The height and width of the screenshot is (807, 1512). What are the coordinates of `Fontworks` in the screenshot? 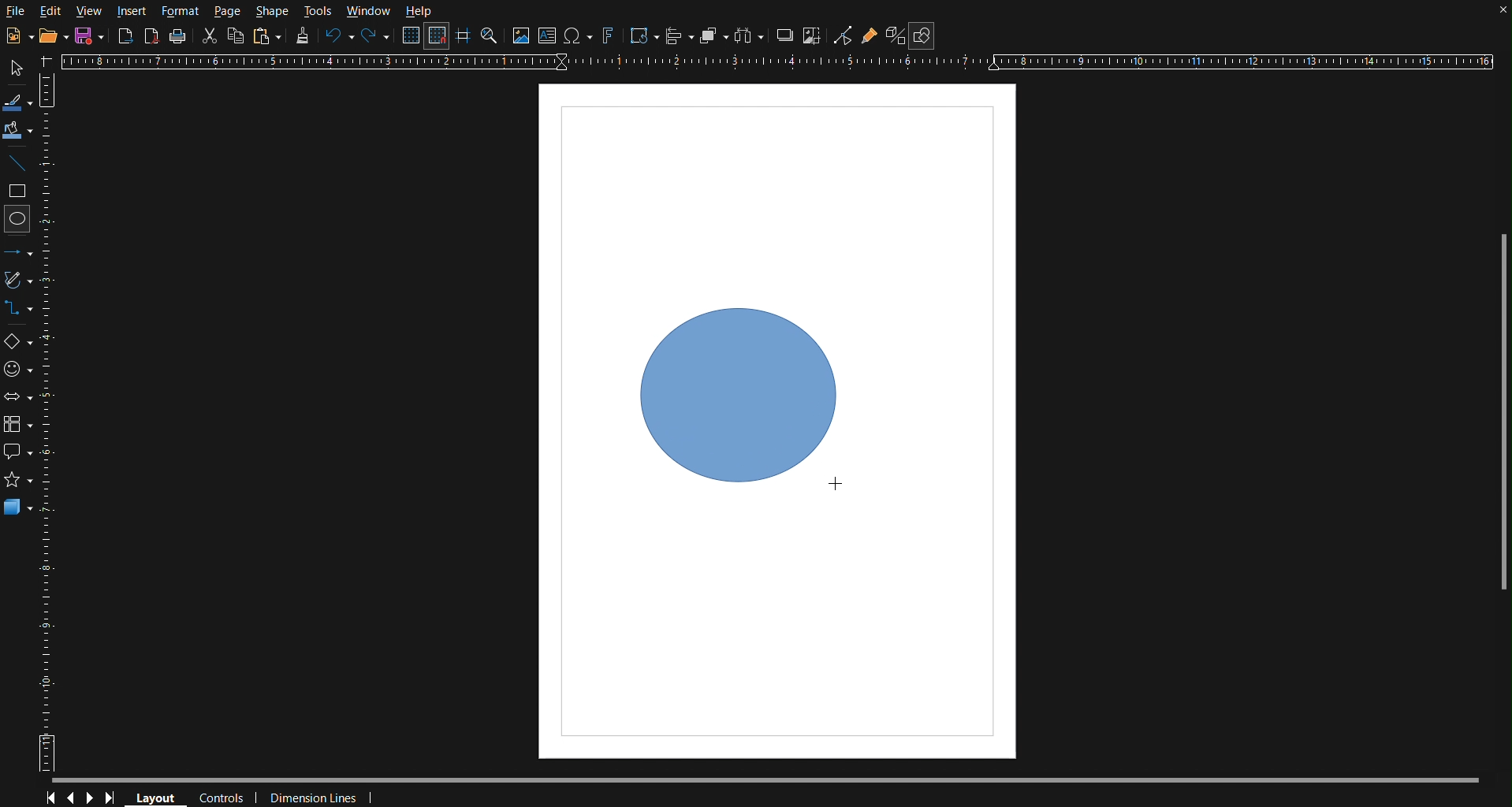 It's located at (608, 36).